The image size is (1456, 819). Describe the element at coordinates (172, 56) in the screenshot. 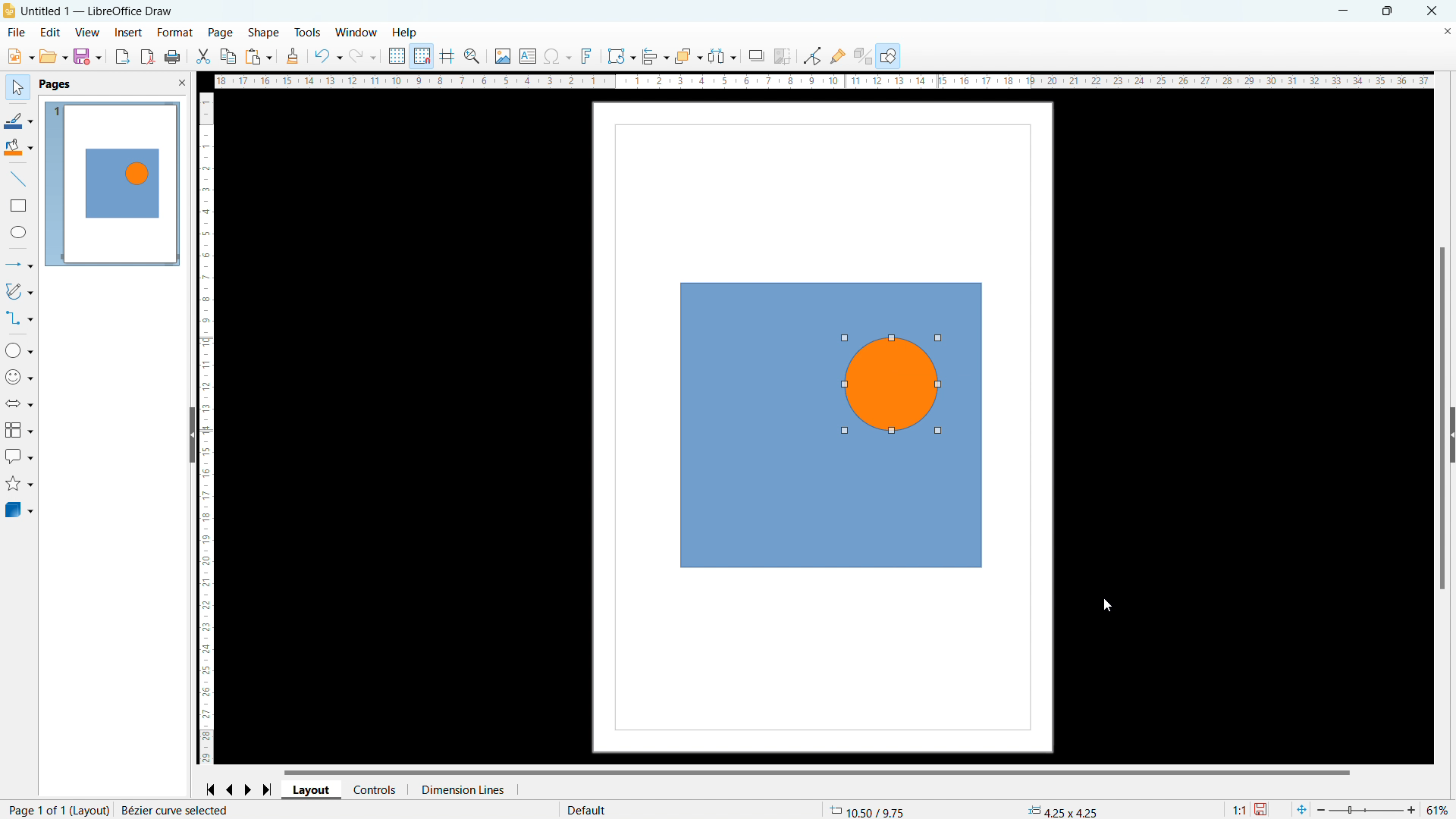

I see `print` at that location.